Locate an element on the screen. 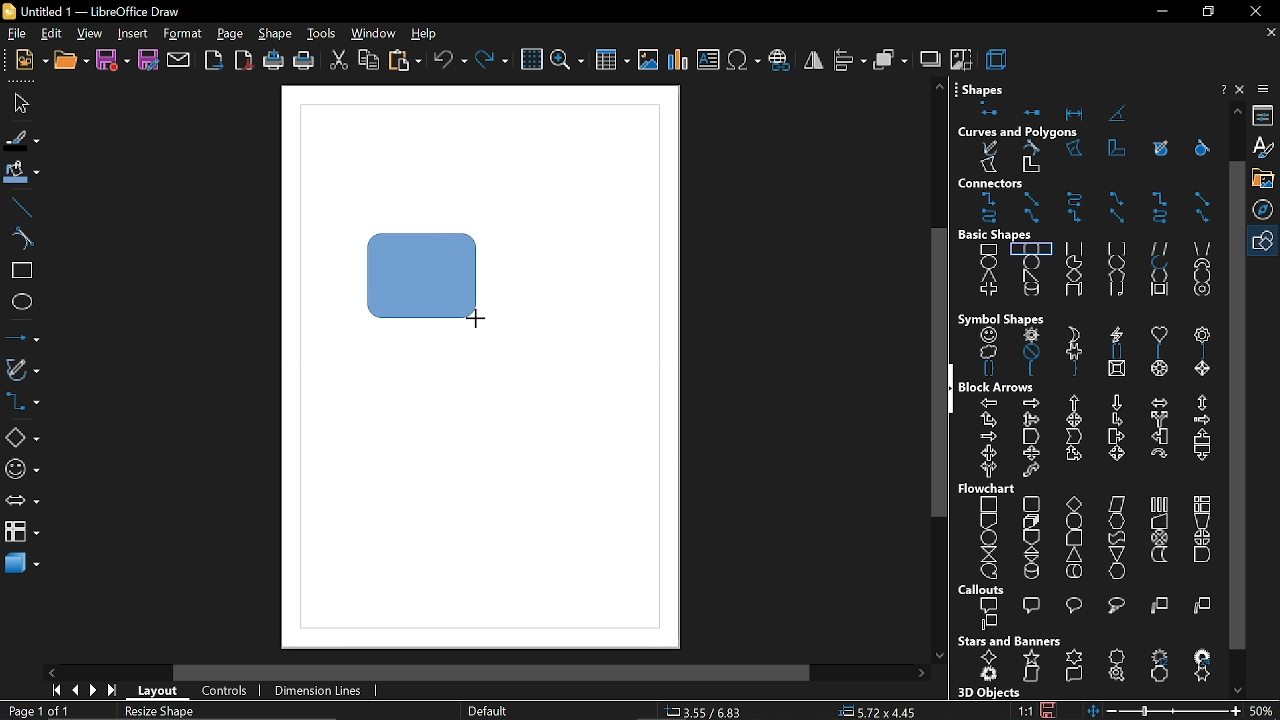 The height and width of the screenshot is (720, 1280). block arrows is located at coordinates (1003, 386).